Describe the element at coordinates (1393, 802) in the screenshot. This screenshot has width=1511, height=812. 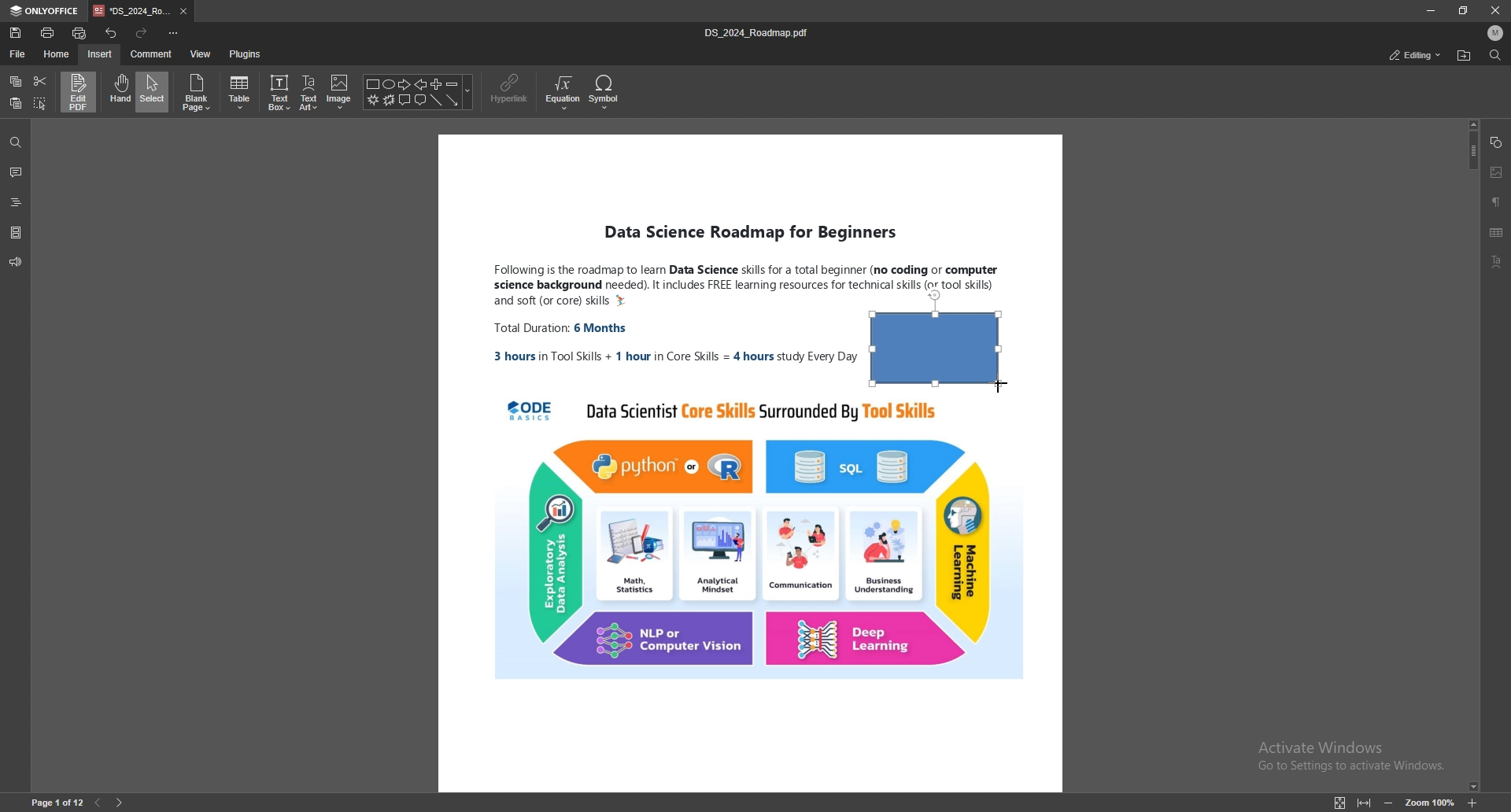
I see `zoom out` at that location.